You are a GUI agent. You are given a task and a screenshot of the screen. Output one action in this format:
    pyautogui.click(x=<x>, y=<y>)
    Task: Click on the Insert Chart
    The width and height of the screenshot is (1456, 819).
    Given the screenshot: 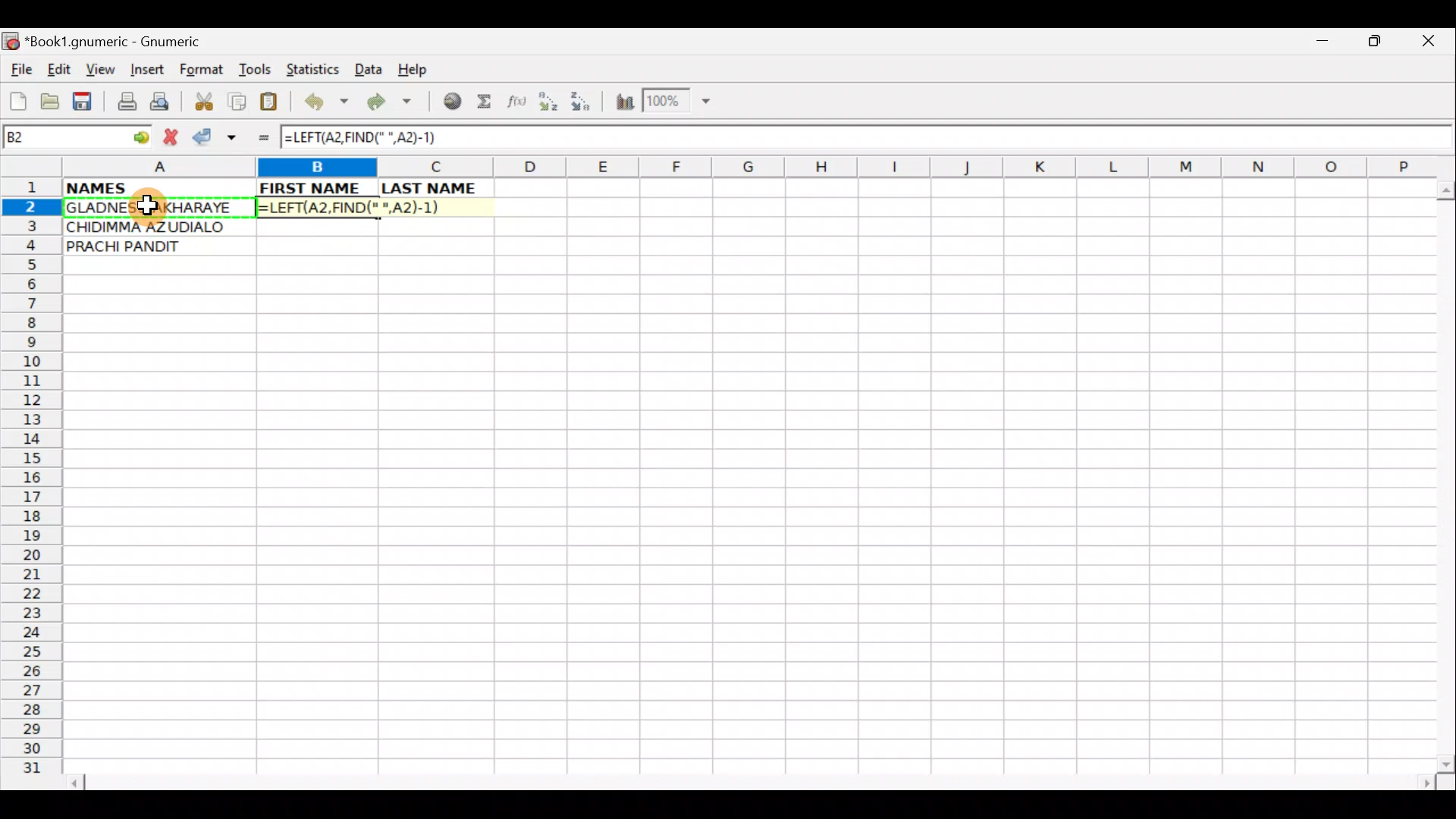 What is the action you would take?
    pyautogui.click(x=620, y=104)
    